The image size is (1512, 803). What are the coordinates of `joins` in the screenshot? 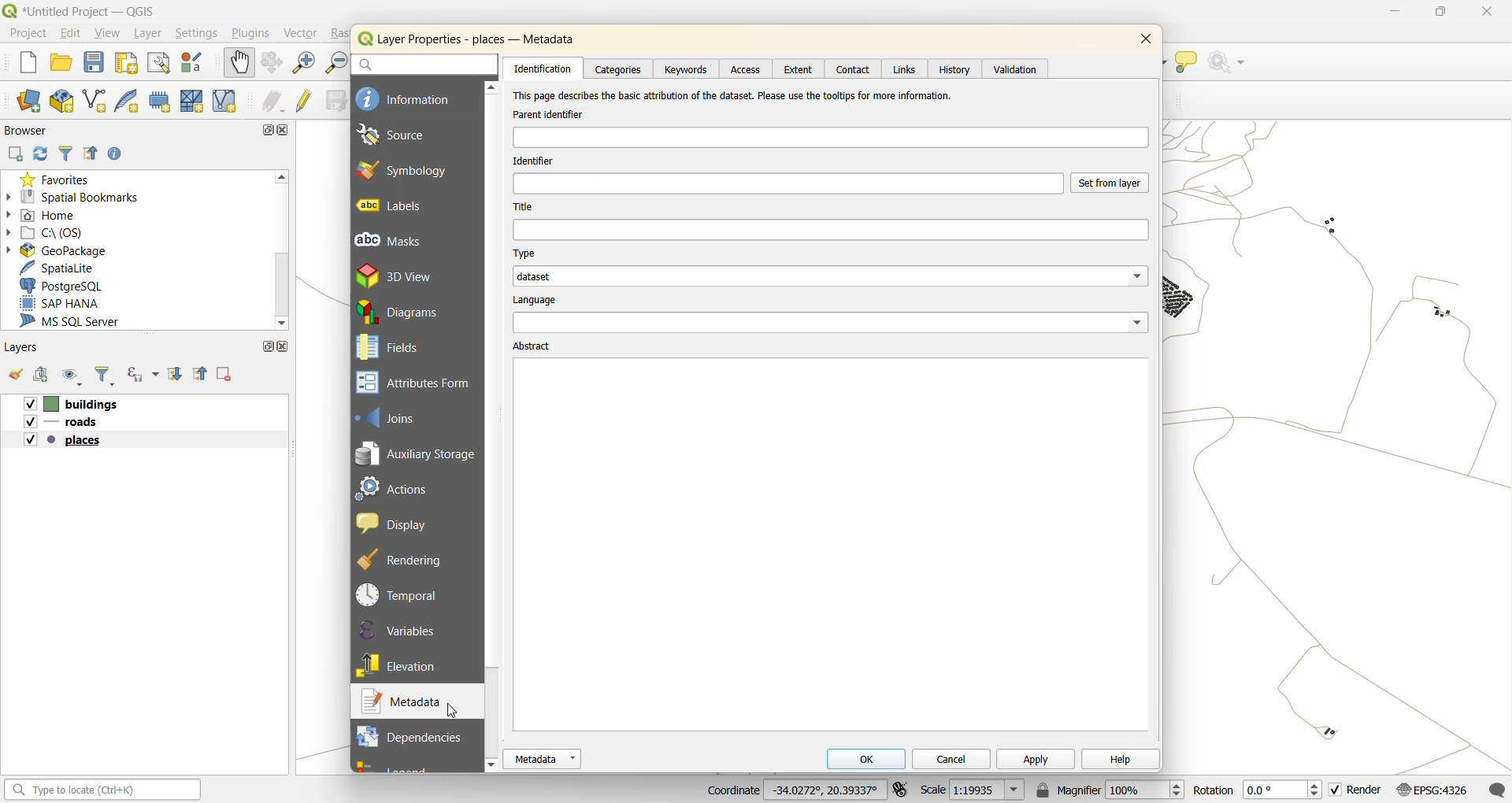 It's located at (390, 417).